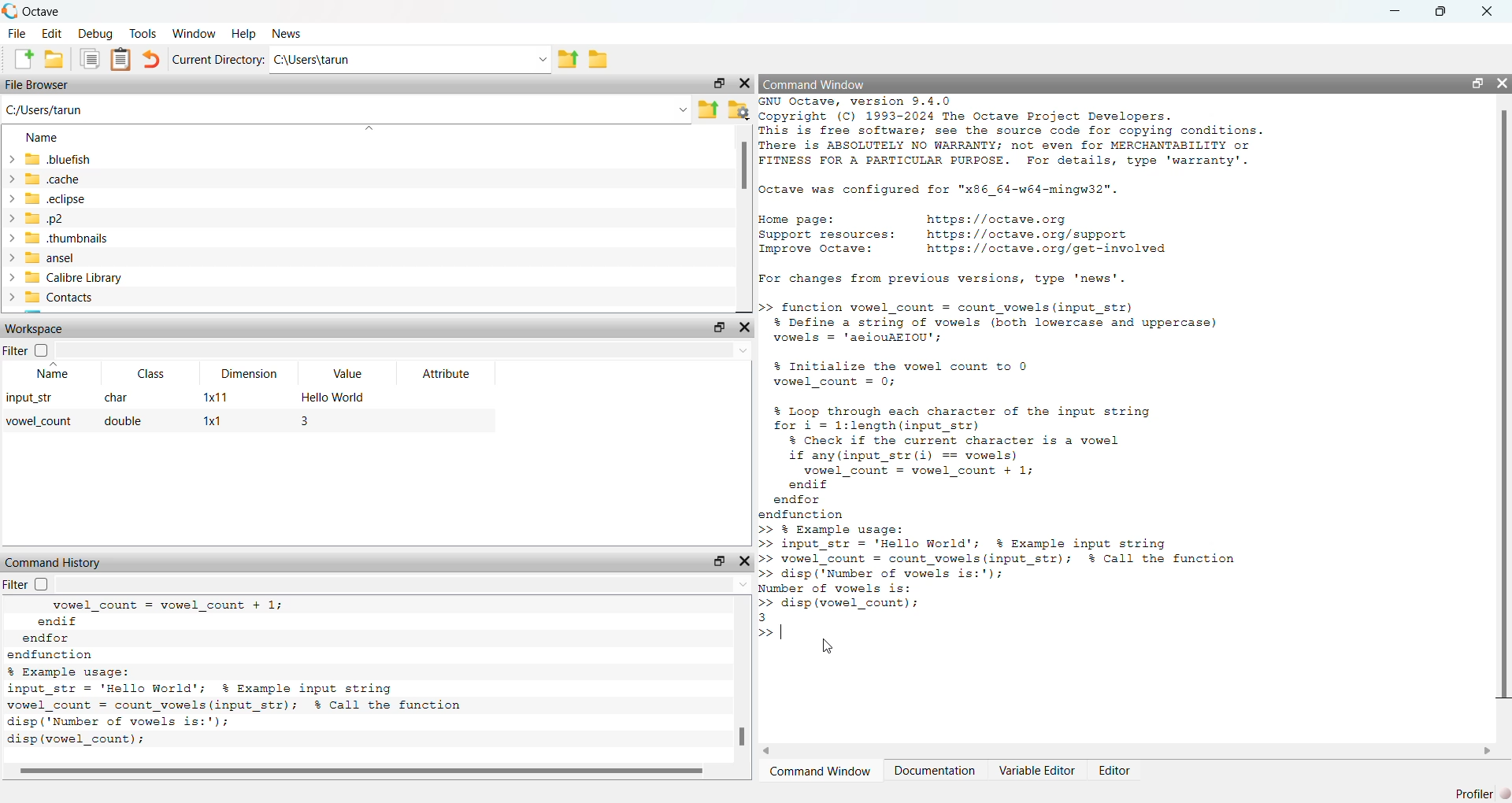  I want to click on Tools, so click(143, 32).